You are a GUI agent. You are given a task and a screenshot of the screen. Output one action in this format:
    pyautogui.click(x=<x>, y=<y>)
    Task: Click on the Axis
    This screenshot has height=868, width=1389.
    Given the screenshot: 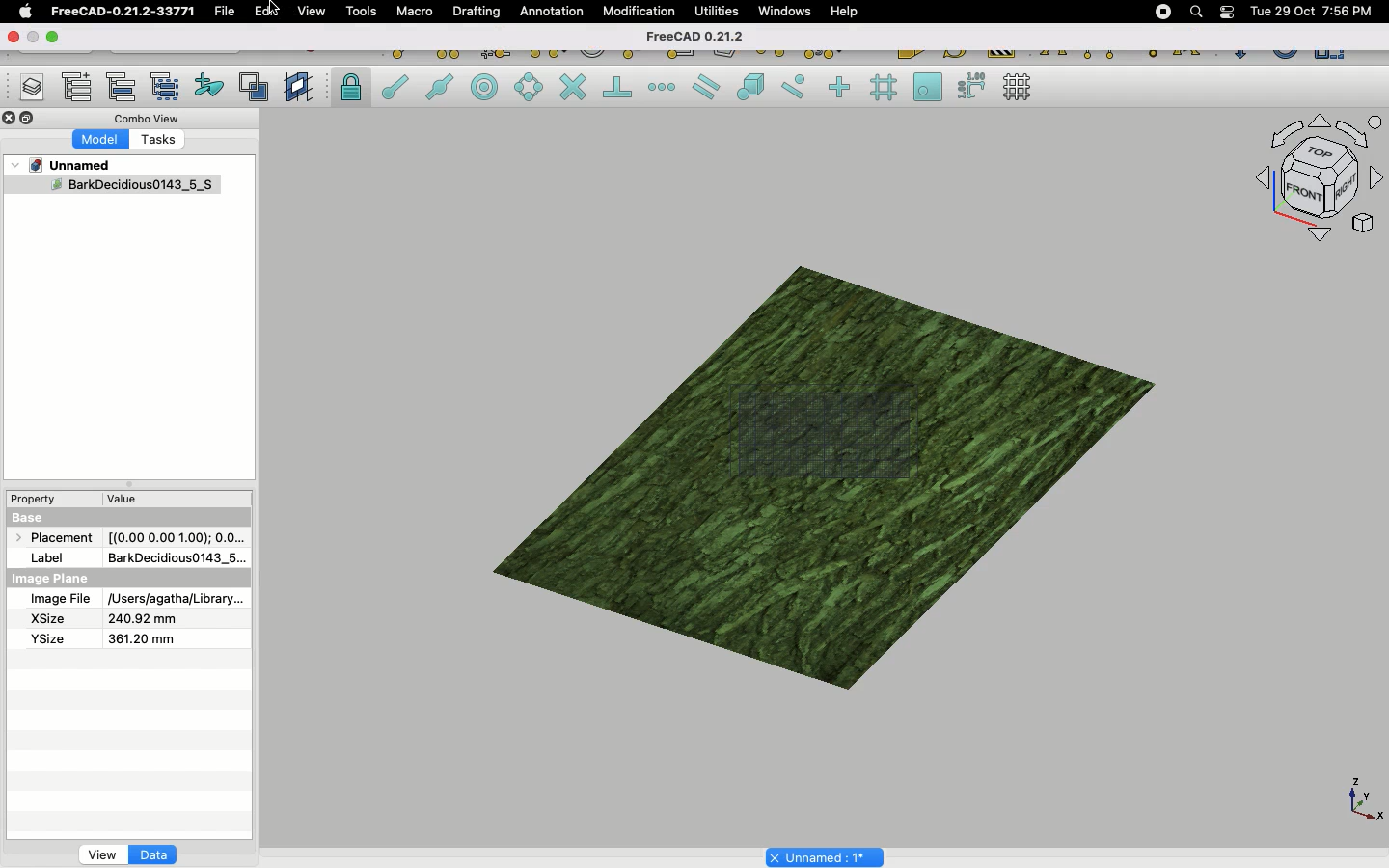 What is the action you would take?
    pyautogui.click(x=1361, y=798)
    